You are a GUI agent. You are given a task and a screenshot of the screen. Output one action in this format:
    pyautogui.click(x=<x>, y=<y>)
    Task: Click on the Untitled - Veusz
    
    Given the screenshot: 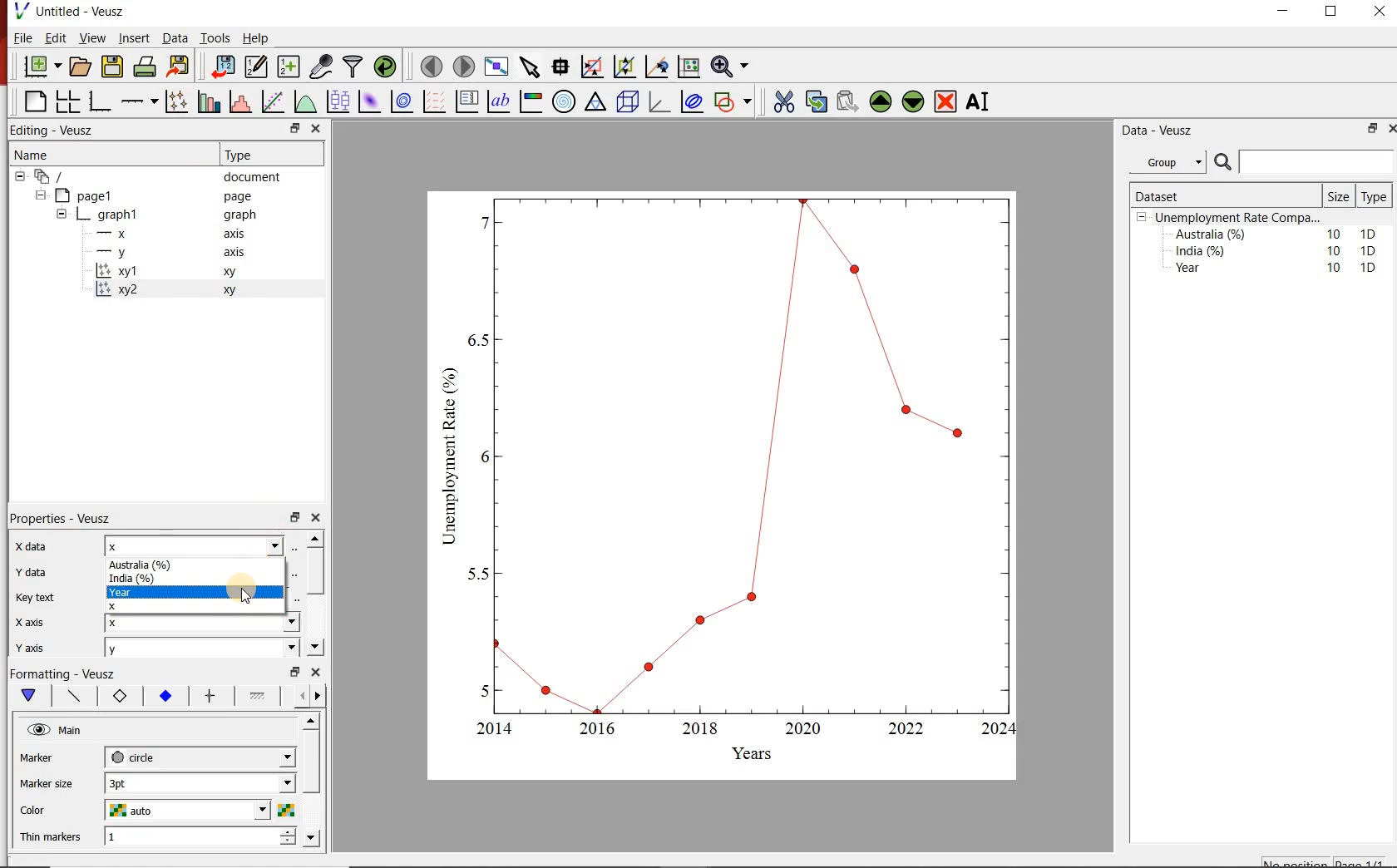 What is the action you would take?
    pyautogui.click(x=68, y=10)
    